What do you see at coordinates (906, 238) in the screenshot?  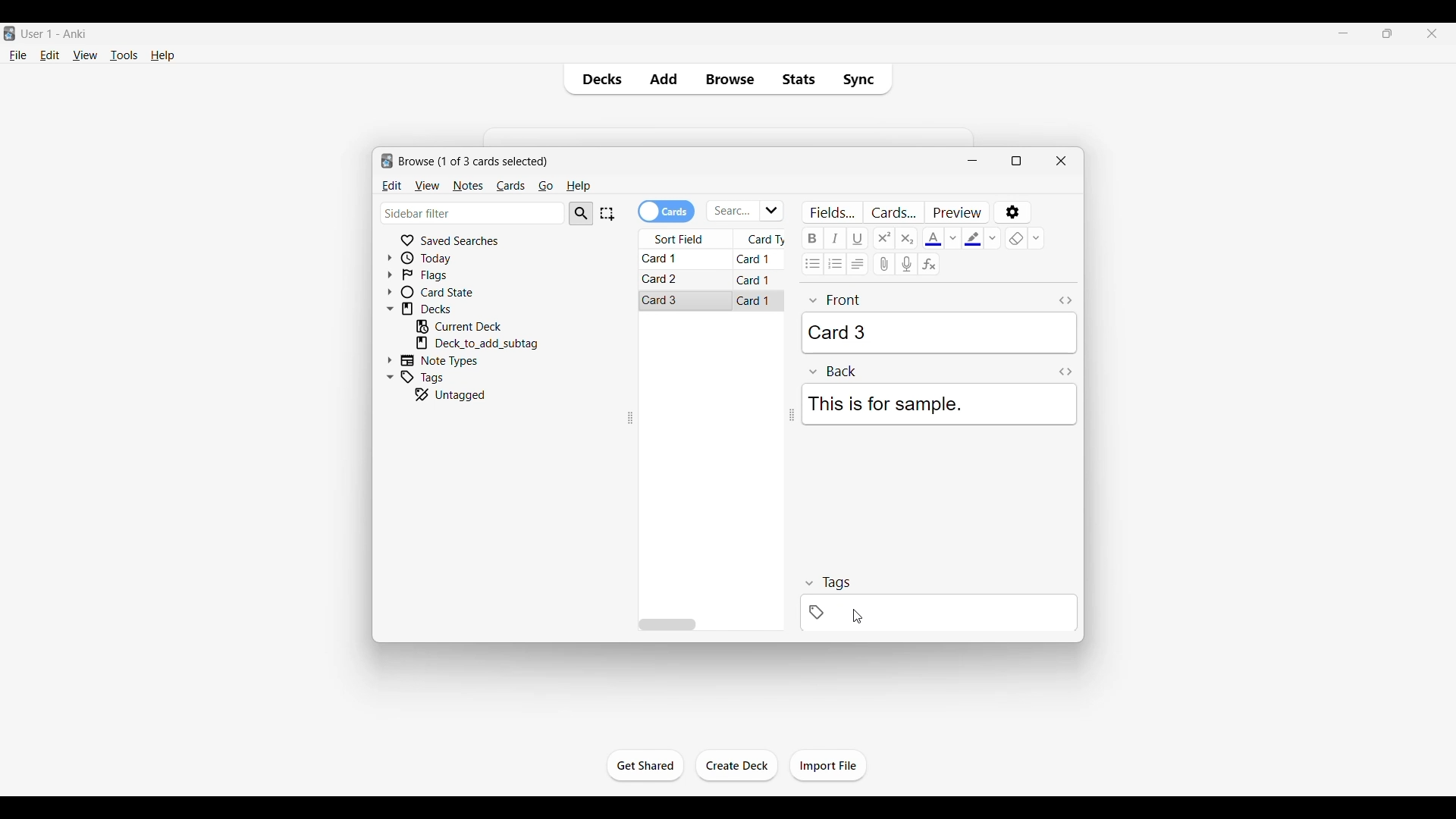 I see `Subscript` at bounding box center [906, 238].